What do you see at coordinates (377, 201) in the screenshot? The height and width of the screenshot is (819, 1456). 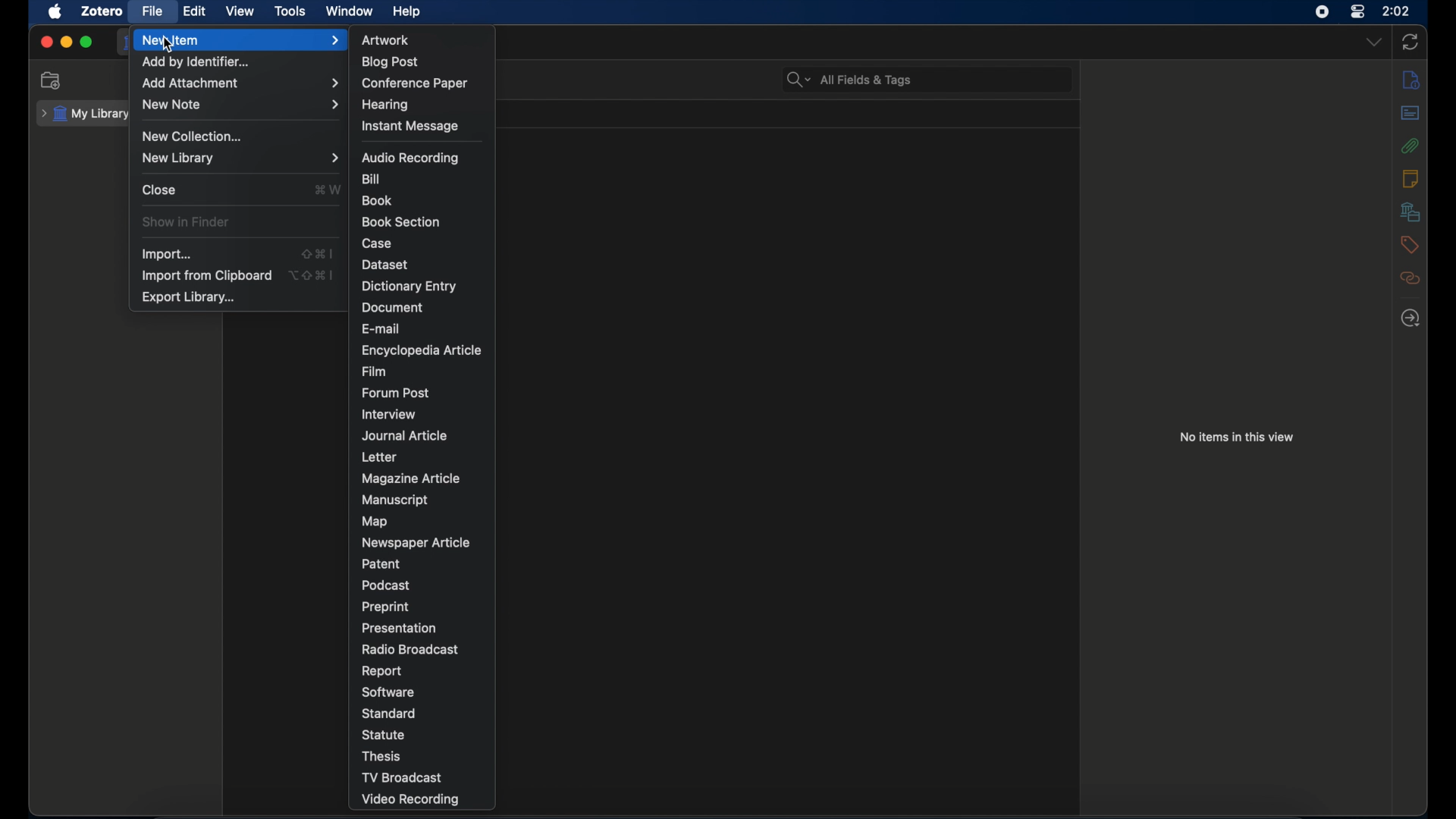 I see `book` at bounding box center [377, 201].